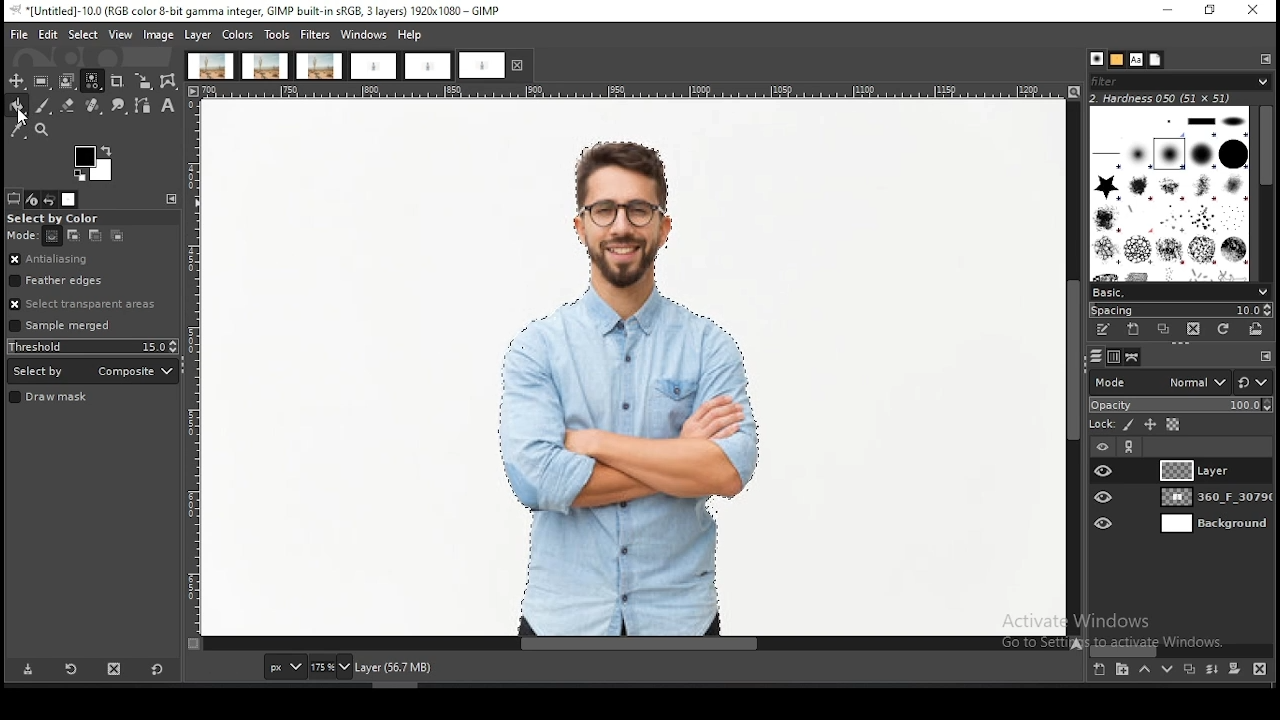 The height and width of the screenshot is (720, 1280). What do you see at coordinates (1212, 470) in the screenshot?
I see `layer` at bounding box center [1212, 470].